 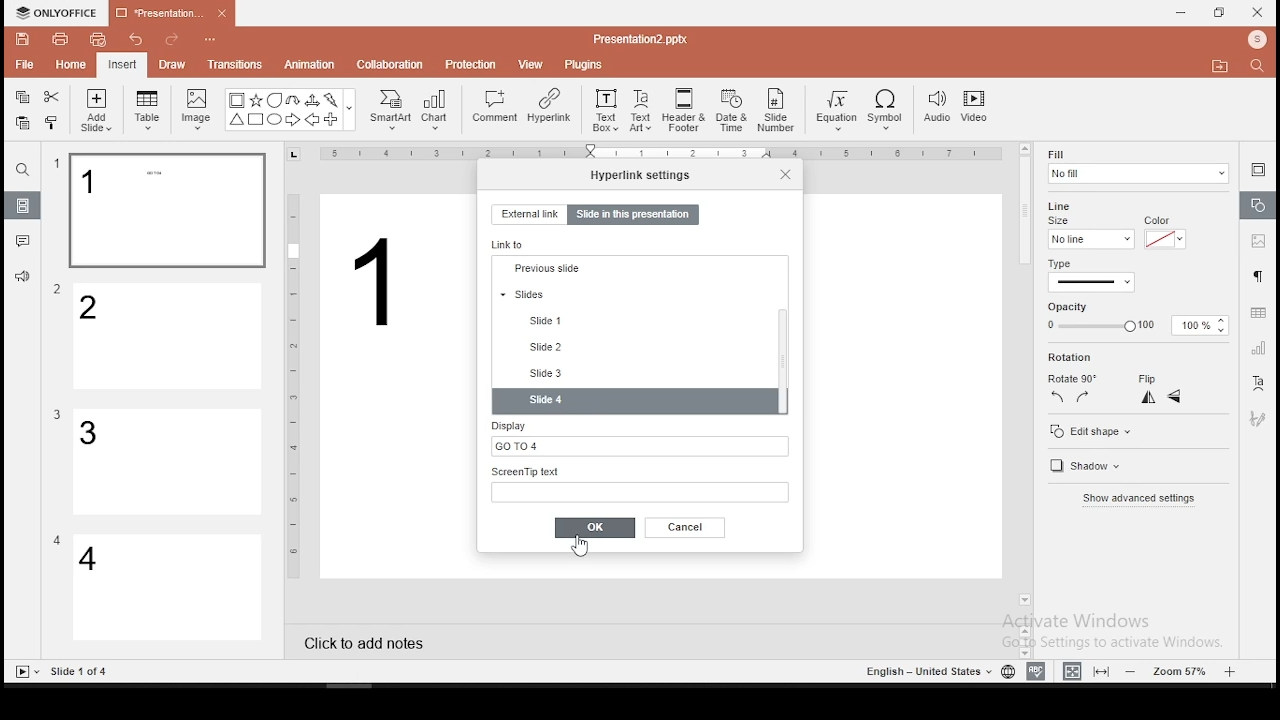 What do you see at coordinates (665, 155) in the screenshot?
I see `` at bounding box center [665, 155].